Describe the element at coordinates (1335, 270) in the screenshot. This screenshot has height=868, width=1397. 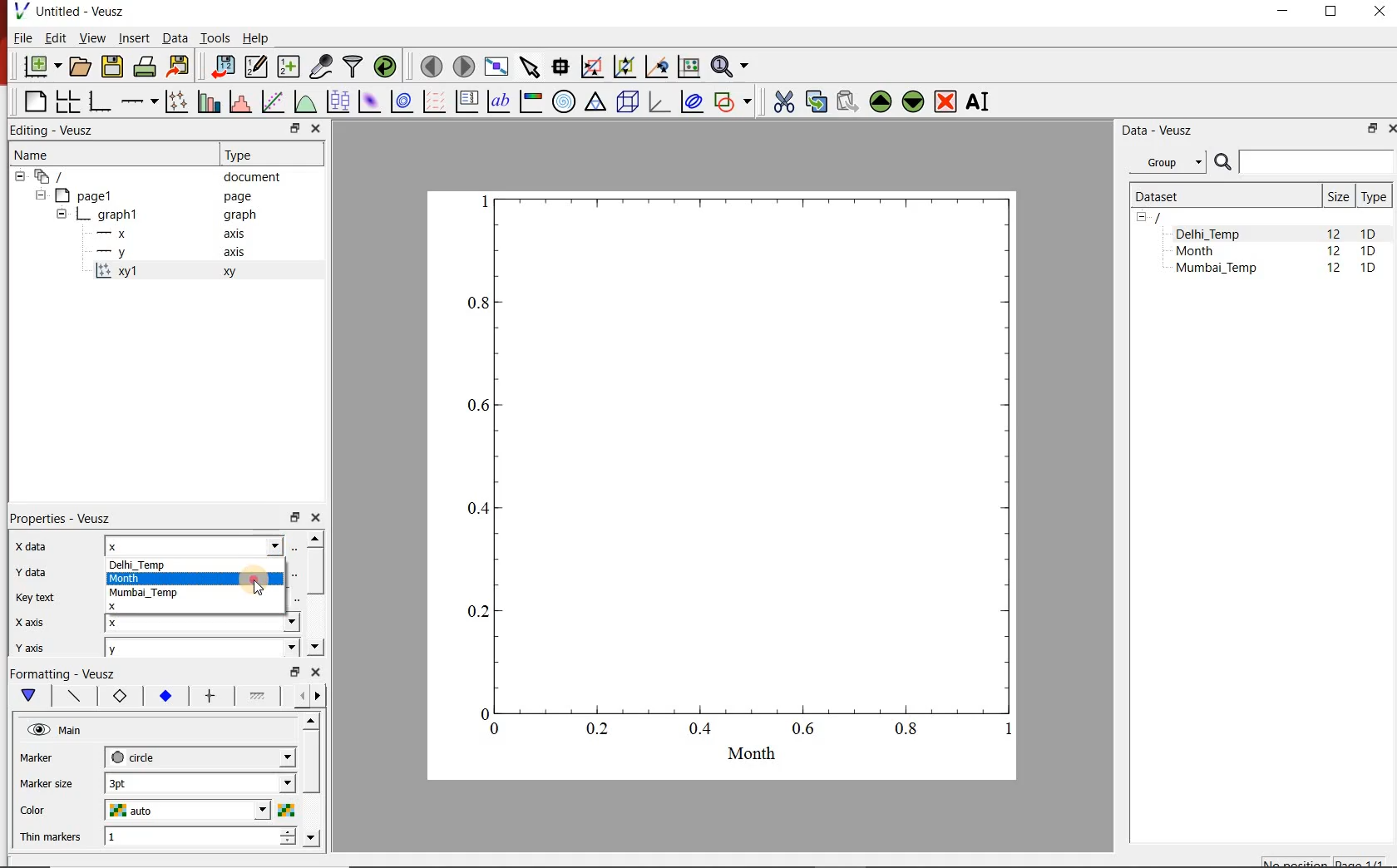
I see `12` at that location.